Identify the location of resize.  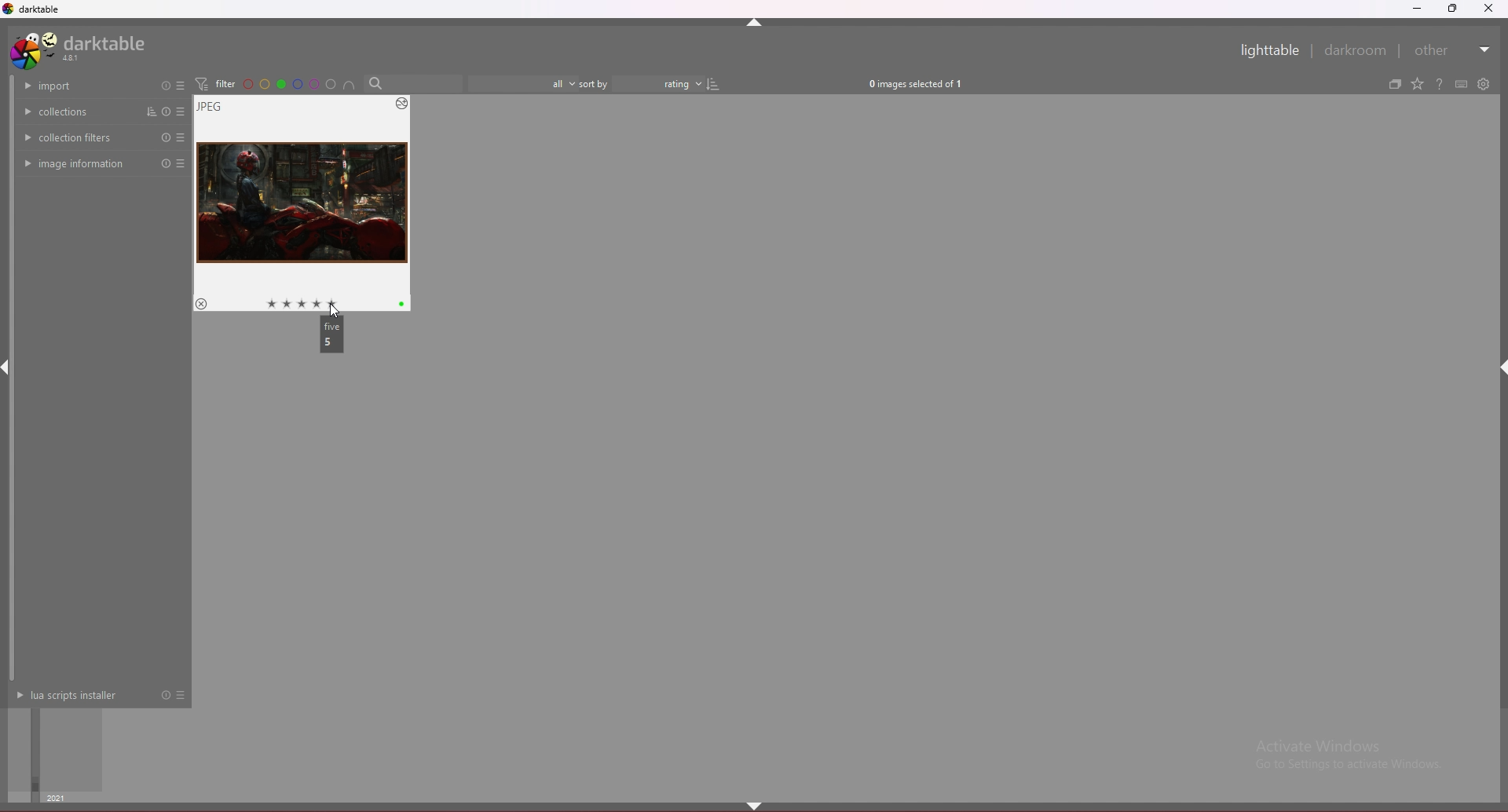
(1455, 9).